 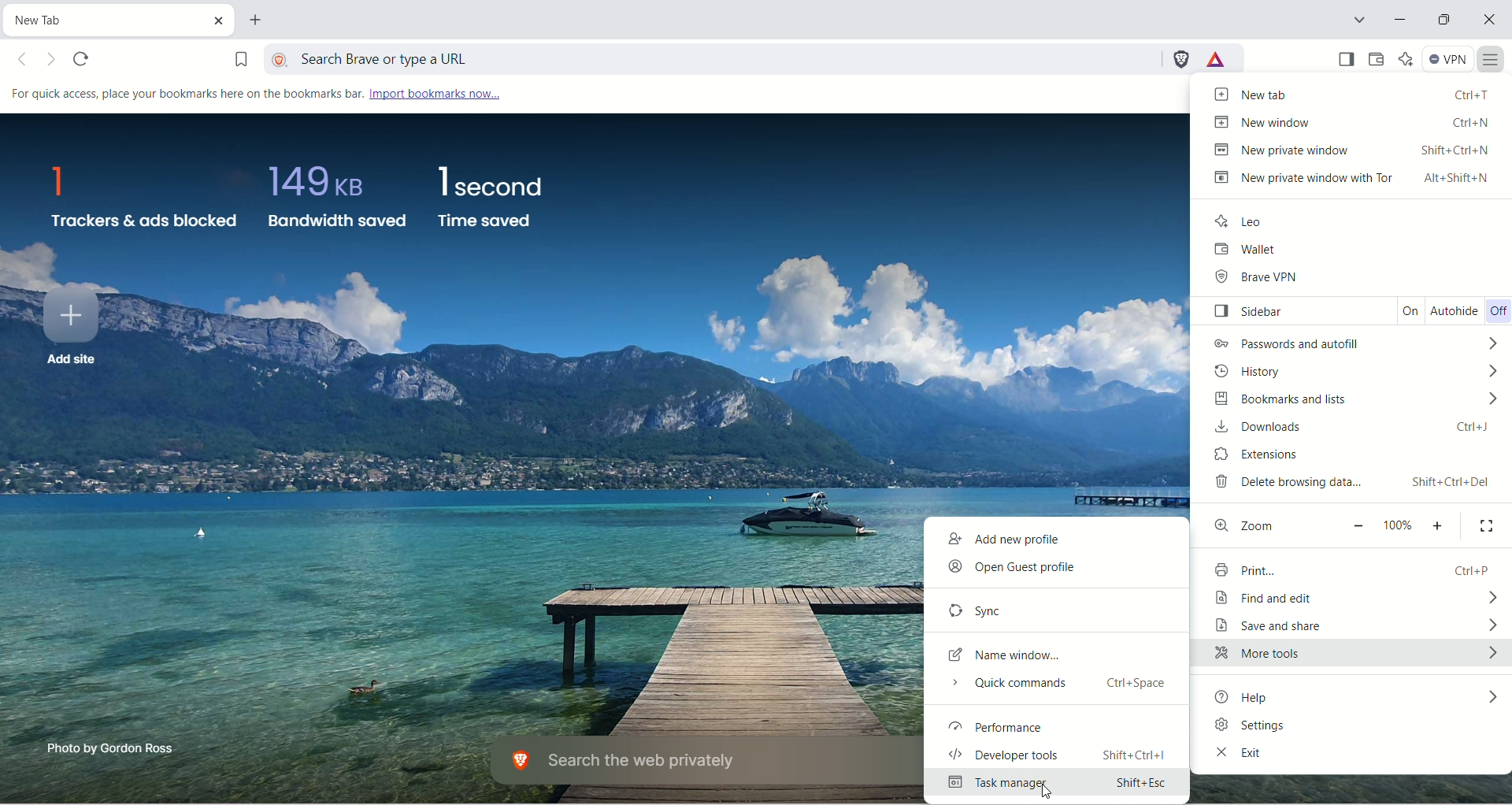 I want to click on maximize, so click(x=1444, y=18).